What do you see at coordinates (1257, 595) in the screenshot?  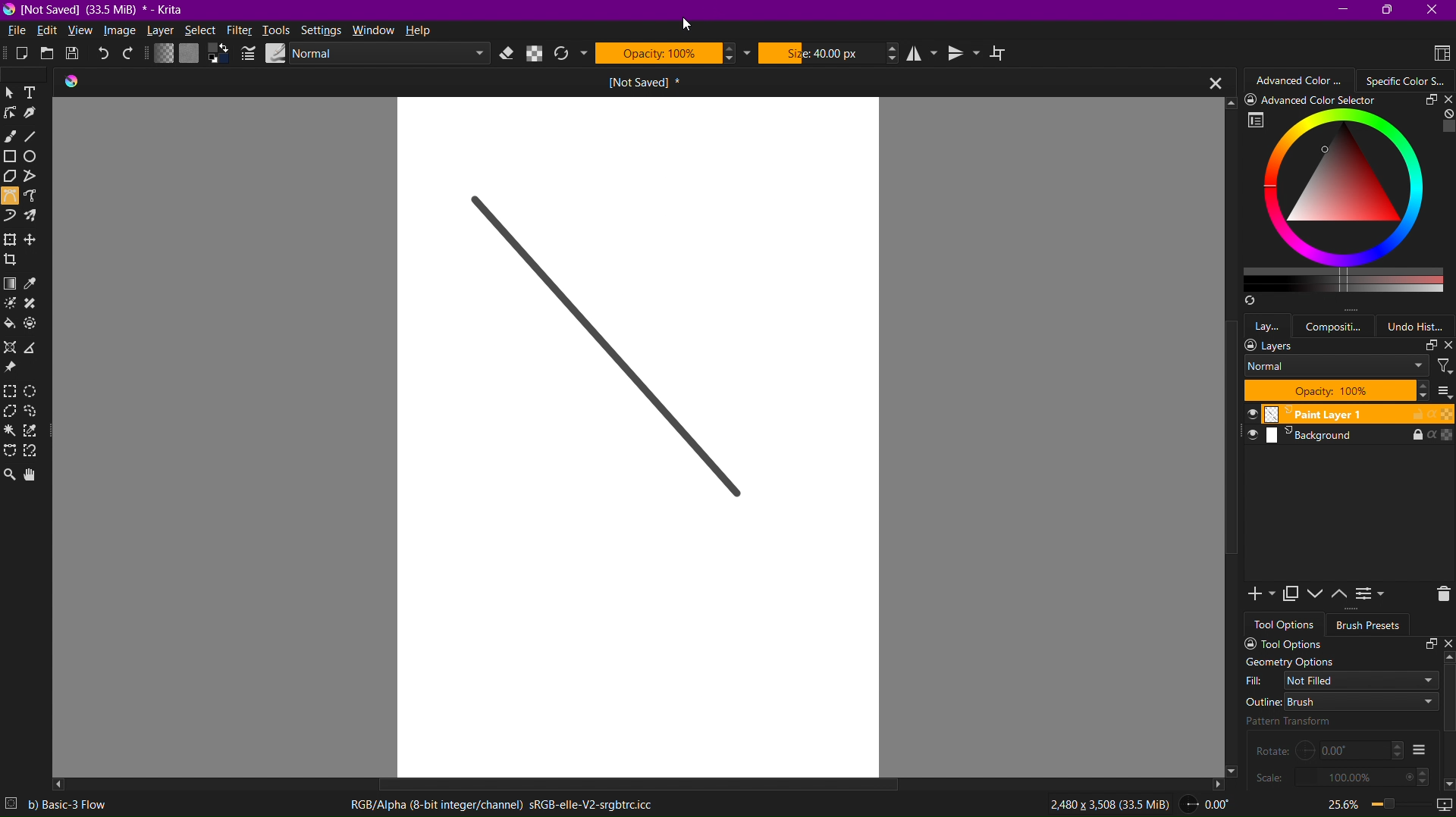 I see `Add New Layer` at bounding box center [1257, 595].